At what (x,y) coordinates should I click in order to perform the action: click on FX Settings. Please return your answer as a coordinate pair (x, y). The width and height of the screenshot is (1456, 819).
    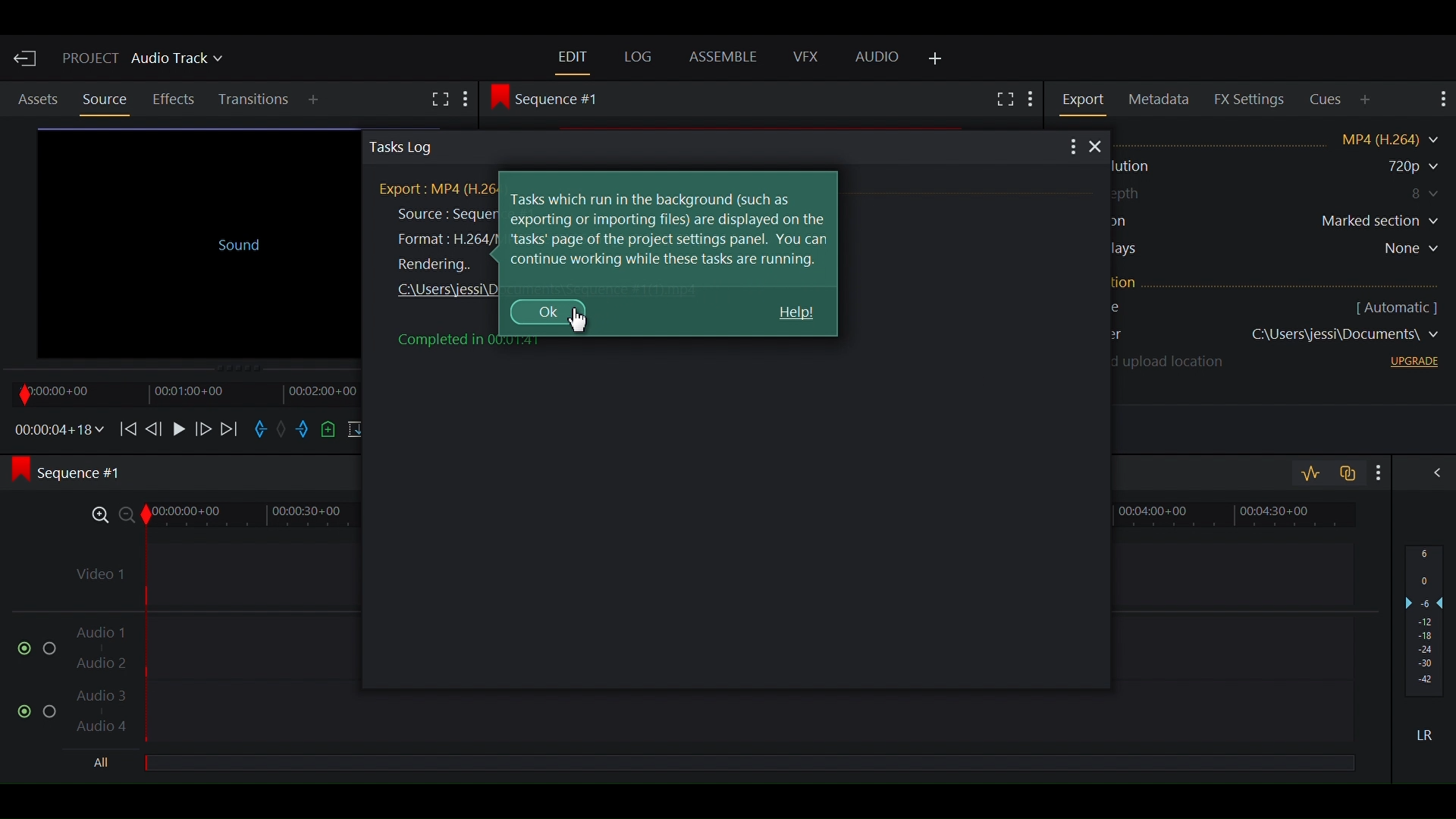
    Looking at the image, I should click on (1250, 99).